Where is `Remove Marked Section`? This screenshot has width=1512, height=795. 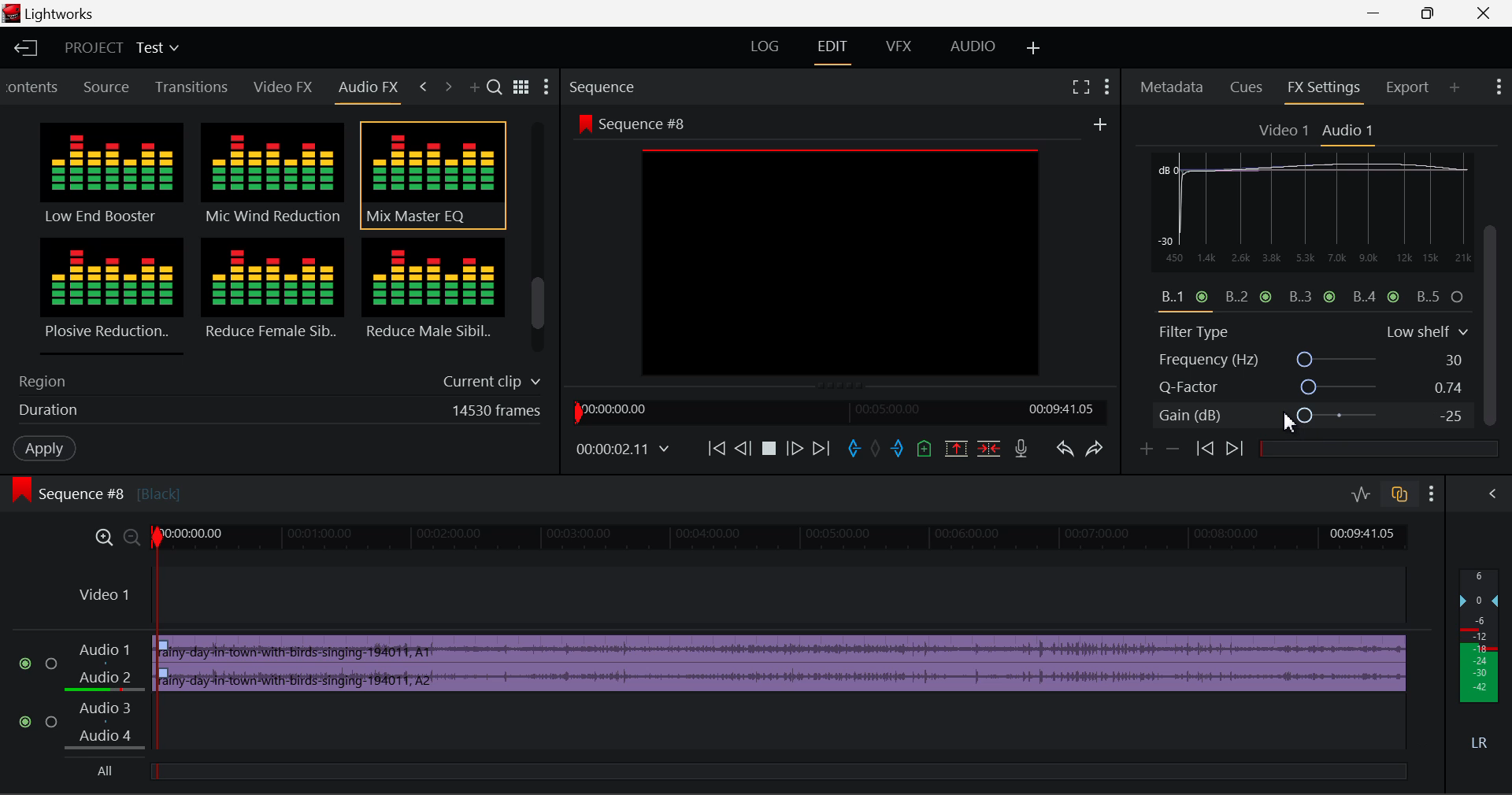
Remove Marked Section is located at coordinates (954, 448).